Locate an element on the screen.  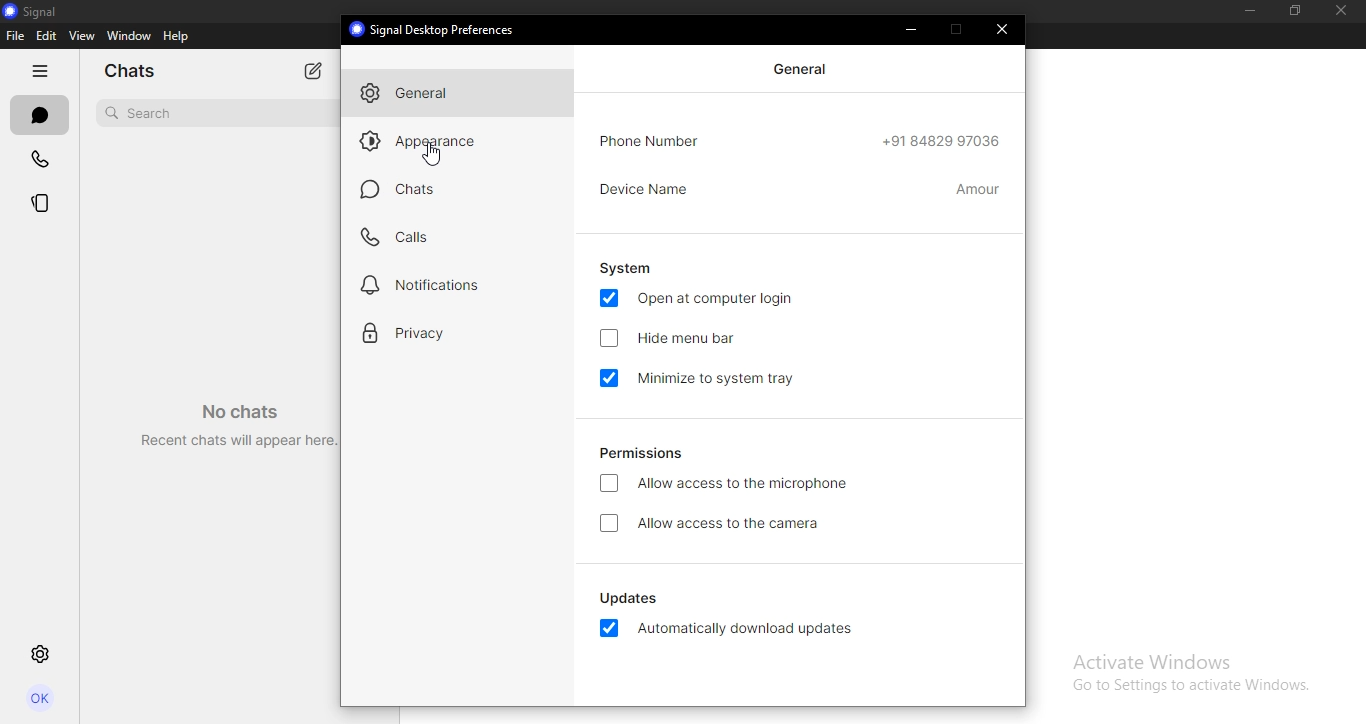
restore down is located at coordinates (1290, 11).